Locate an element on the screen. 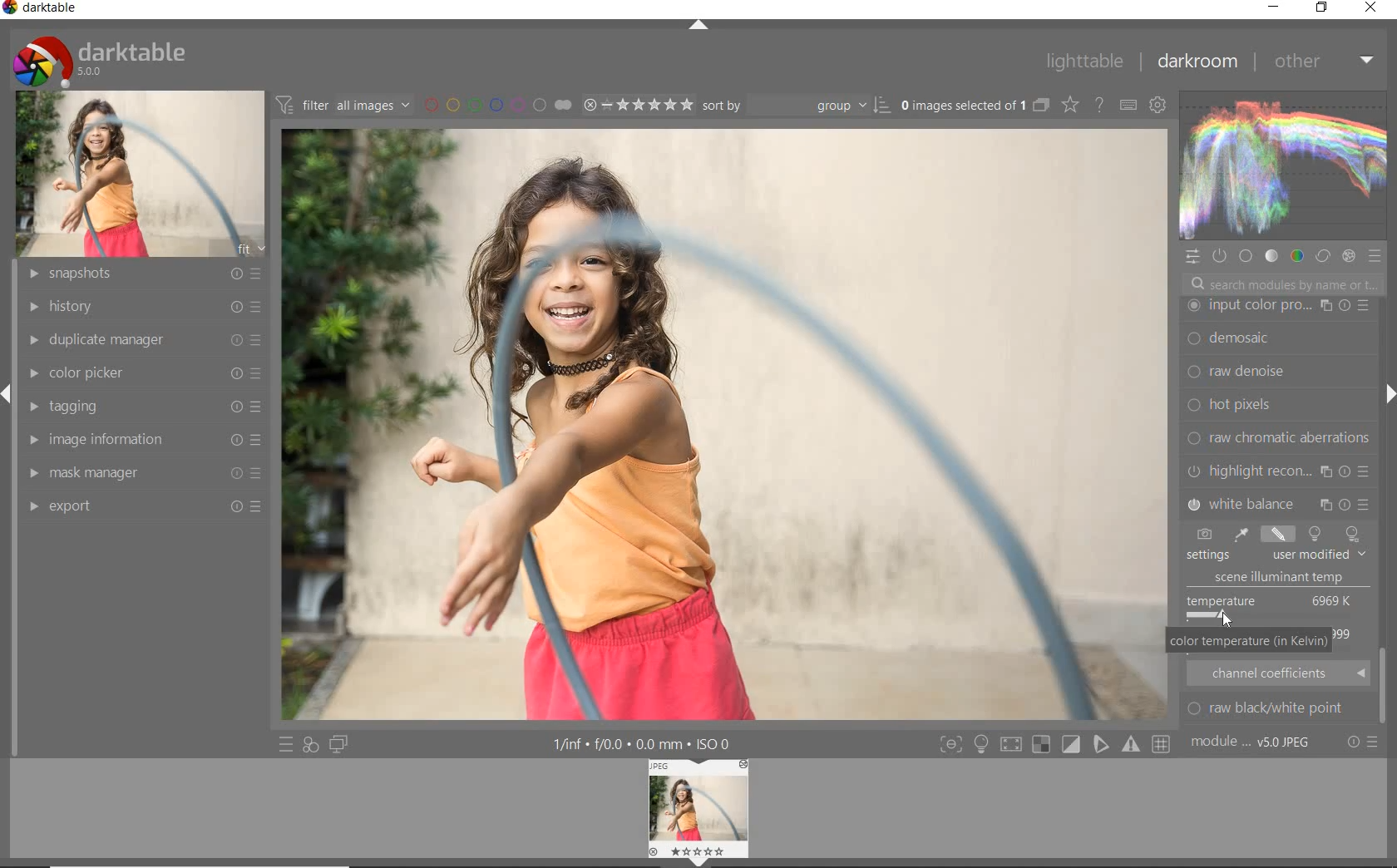  image is located at coordinates (142, 172).